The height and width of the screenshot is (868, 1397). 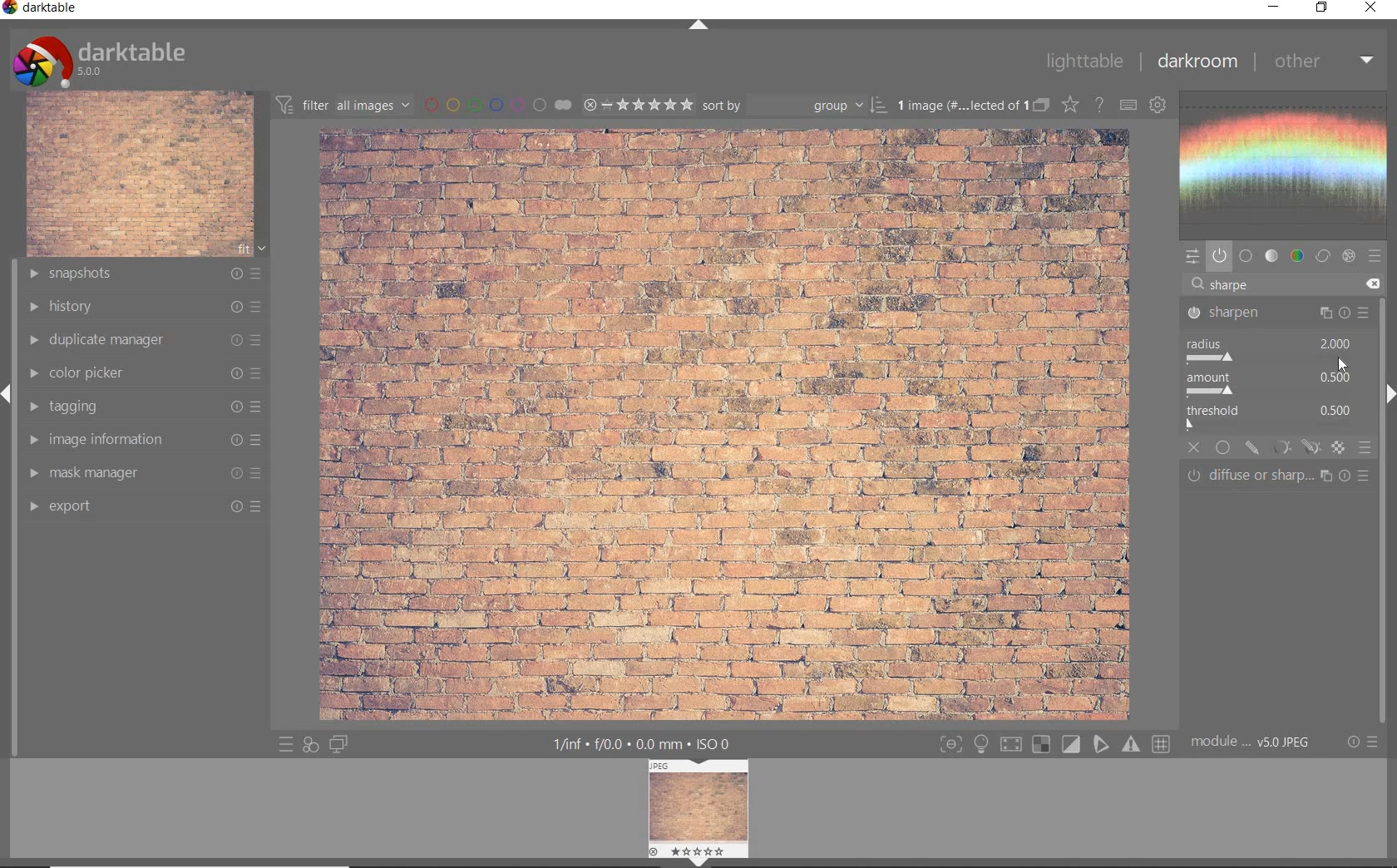 What do you see at coordinates (1375, 256) in the screenshot?
I see `preset` at bounding box center [1375, 256].